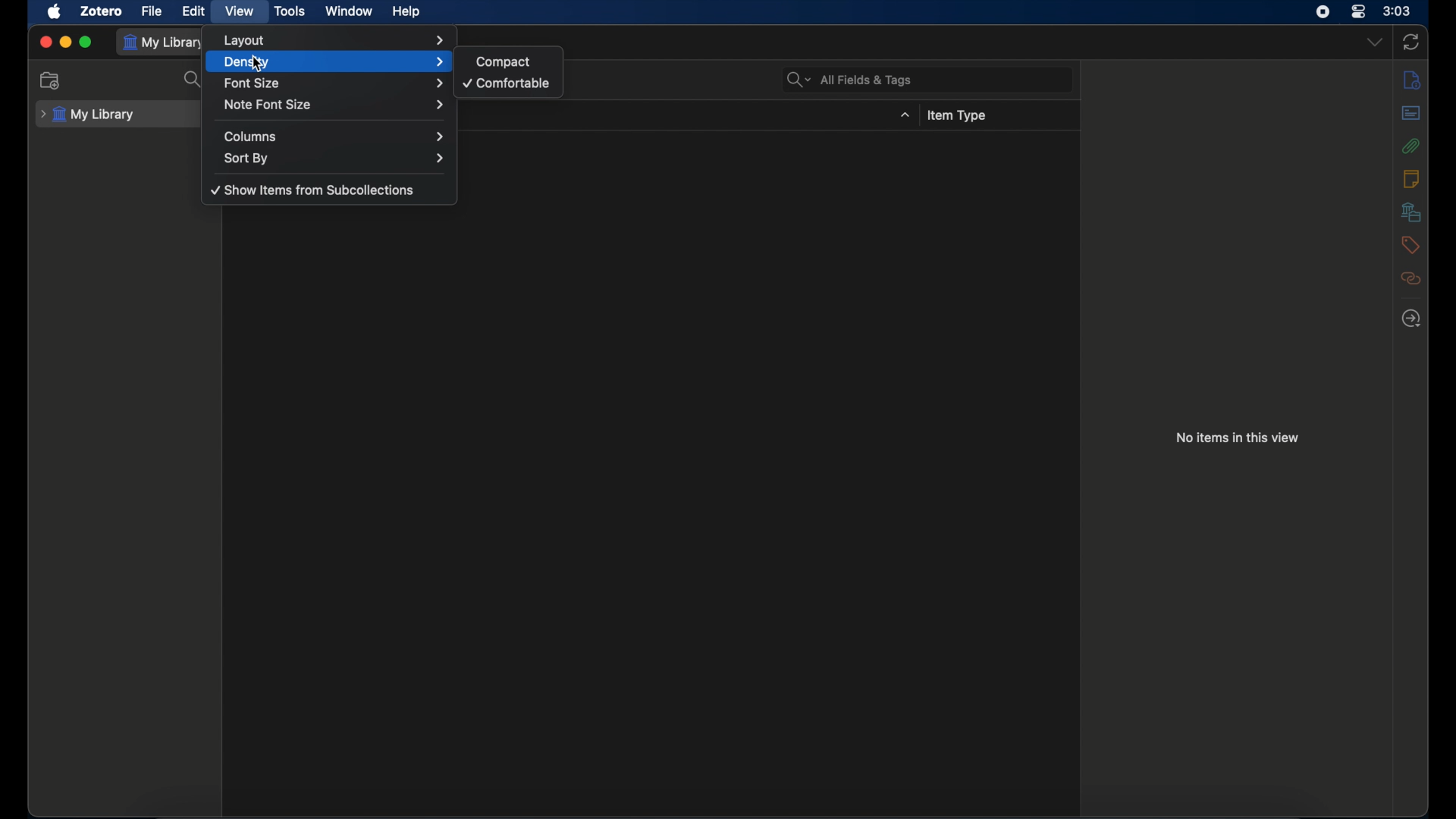 Image resolution: width=1456 pixels, height=819 pixels. I want to click on sort by, so click(336, 158).